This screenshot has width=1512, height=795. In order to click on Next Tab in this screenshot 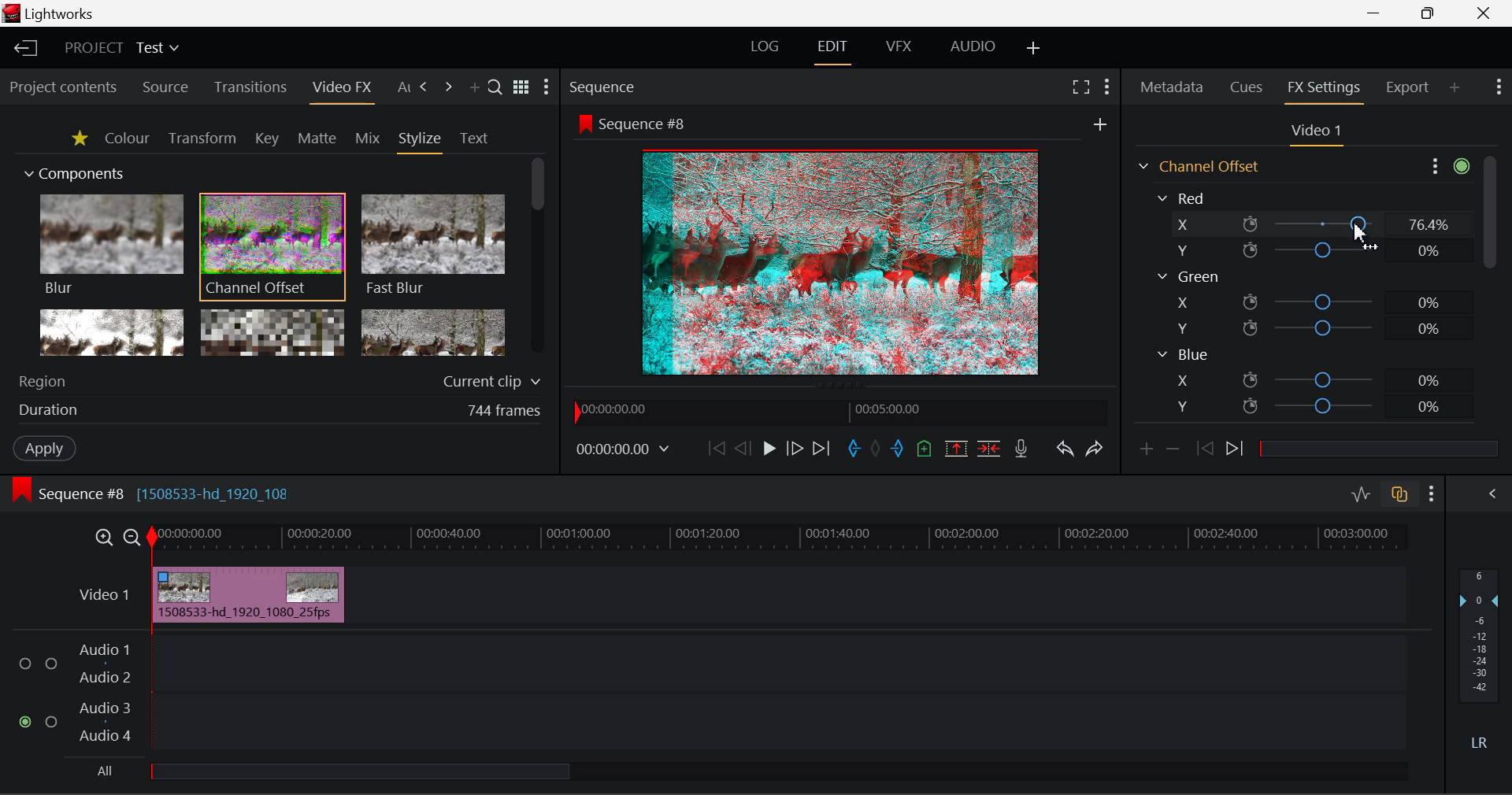, I will do `click(448, 87)`.